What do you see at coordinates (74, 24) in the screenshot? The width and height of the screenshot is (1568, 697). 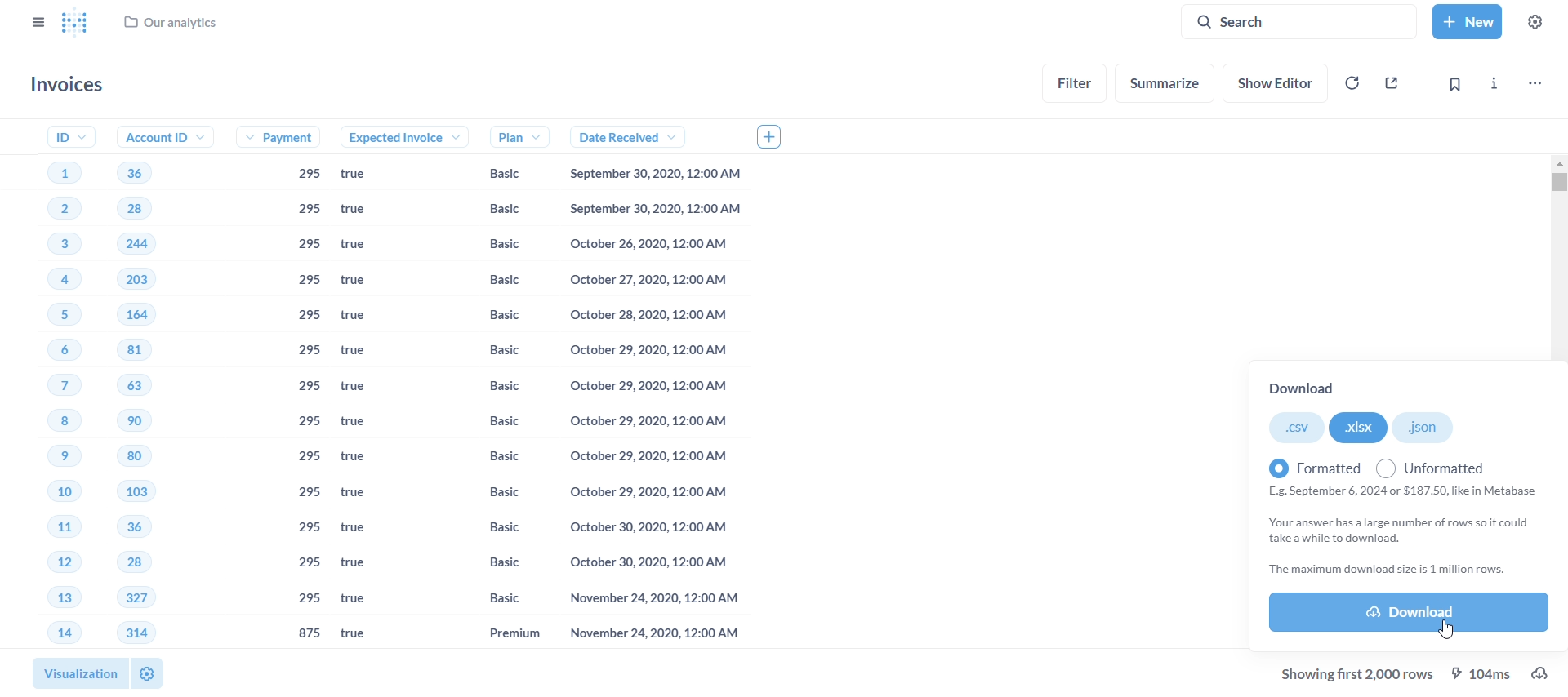 I see `Metabase logo` at bounding box center [74, 24].